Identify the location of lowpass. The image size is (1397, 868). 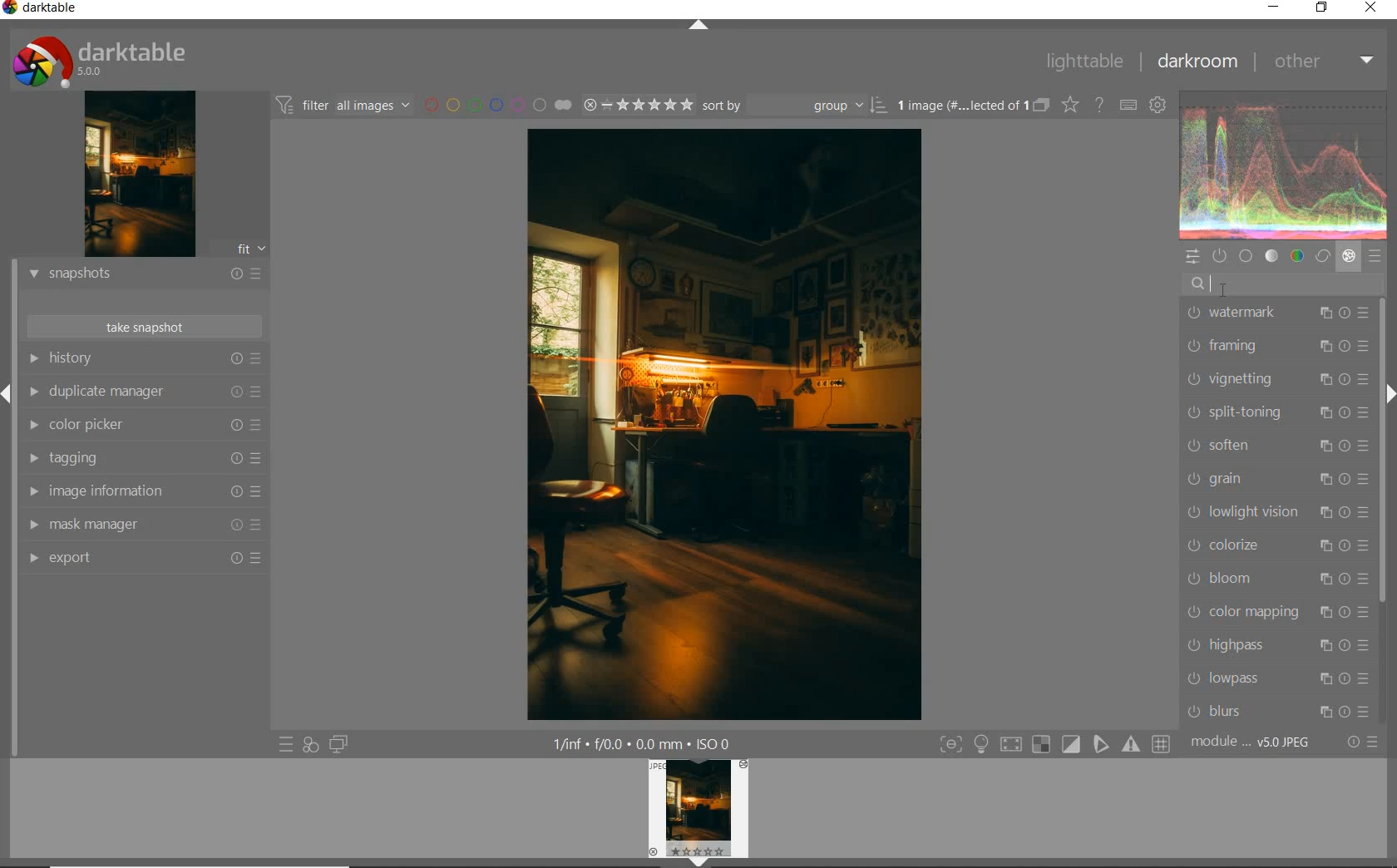
(1276, 679).